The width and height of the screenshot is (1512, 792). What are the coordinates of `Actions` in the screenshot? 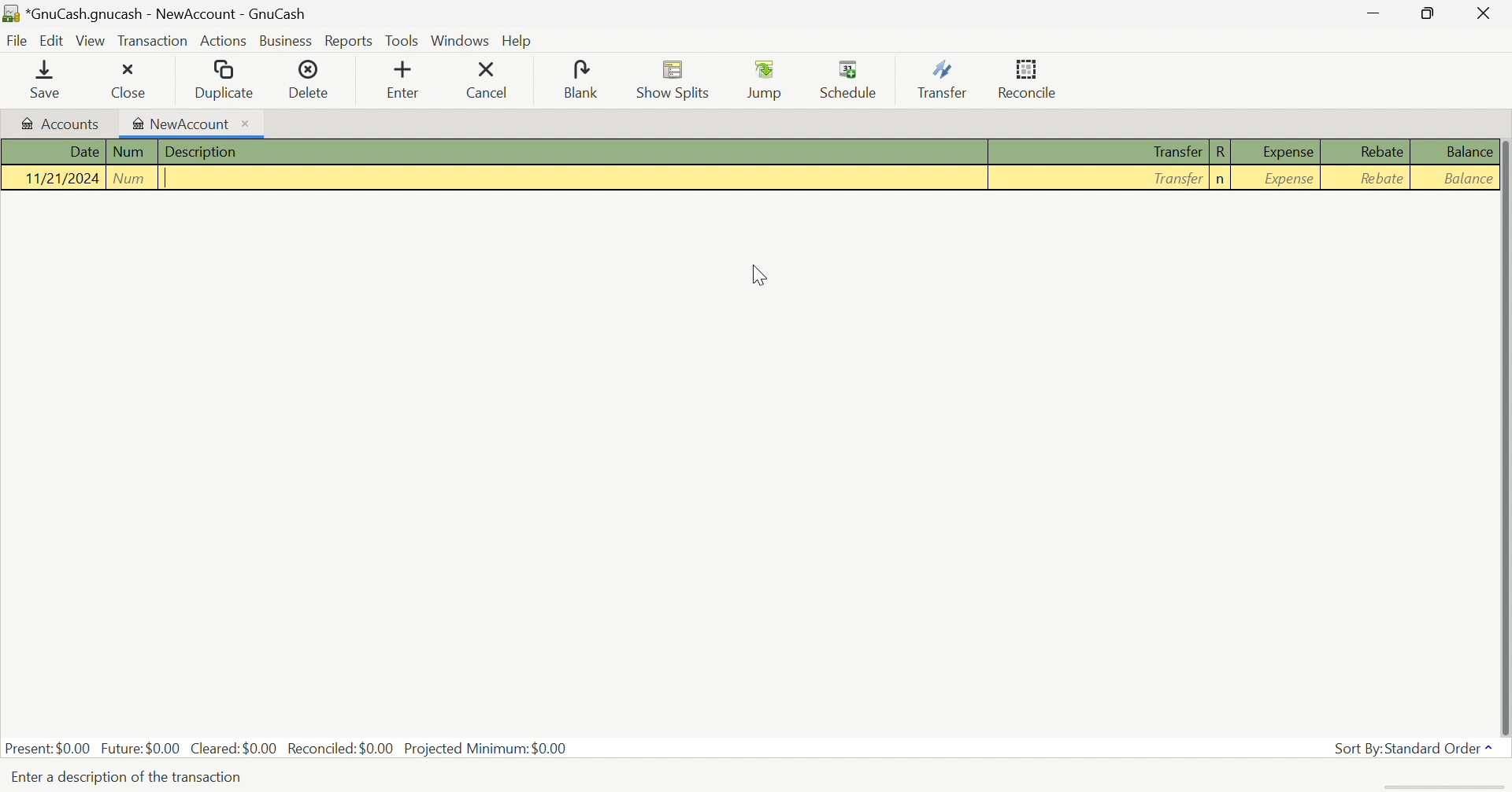 It's located at (224, 41).